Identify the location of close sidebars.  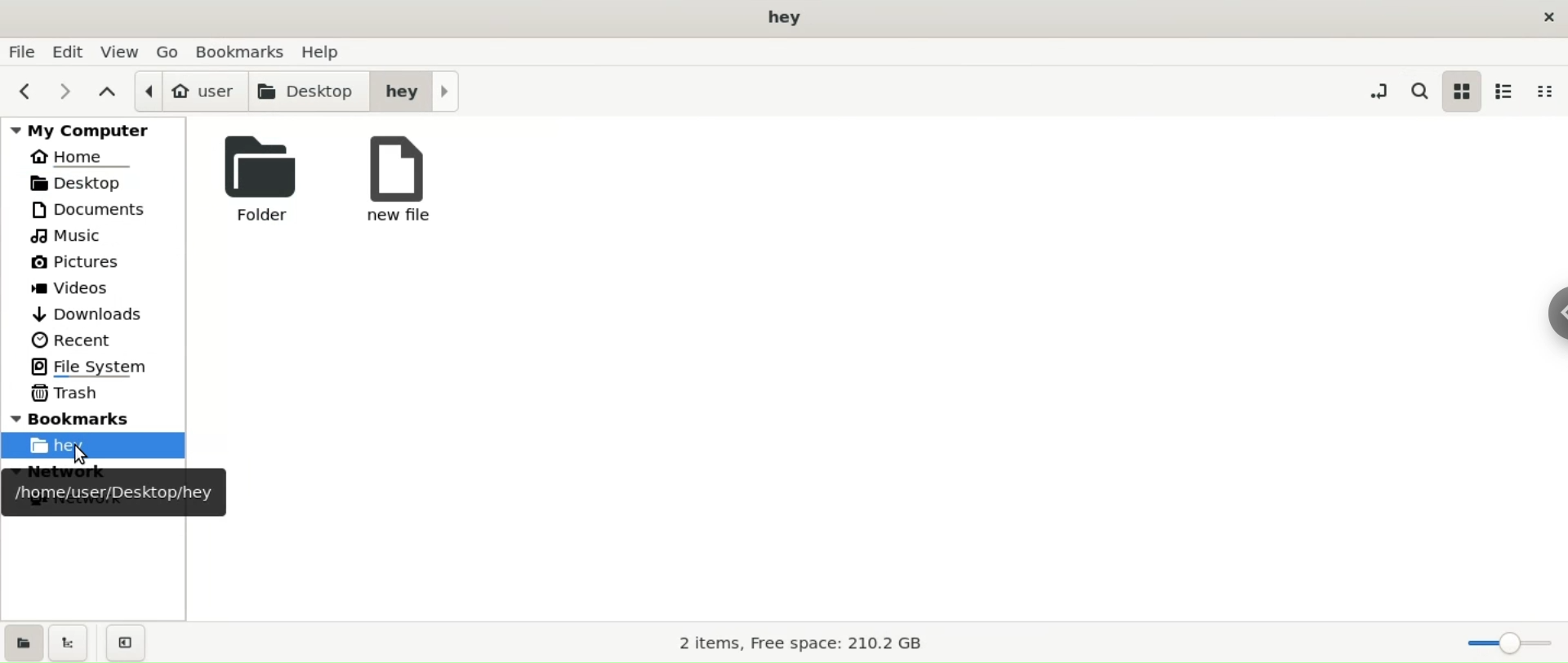
(126, 643).